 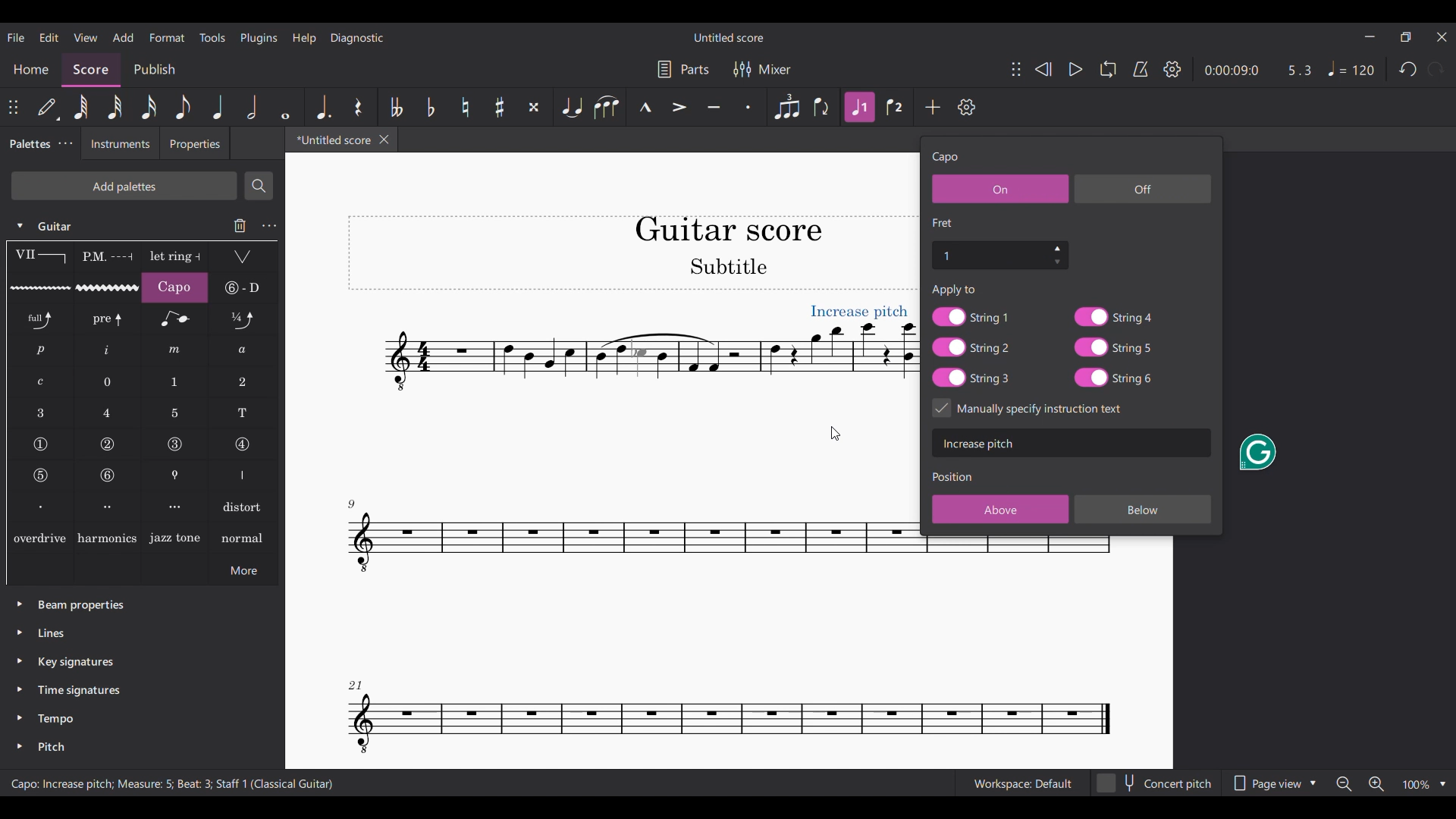 I want to click on Rest, so click(x=359, y=107).